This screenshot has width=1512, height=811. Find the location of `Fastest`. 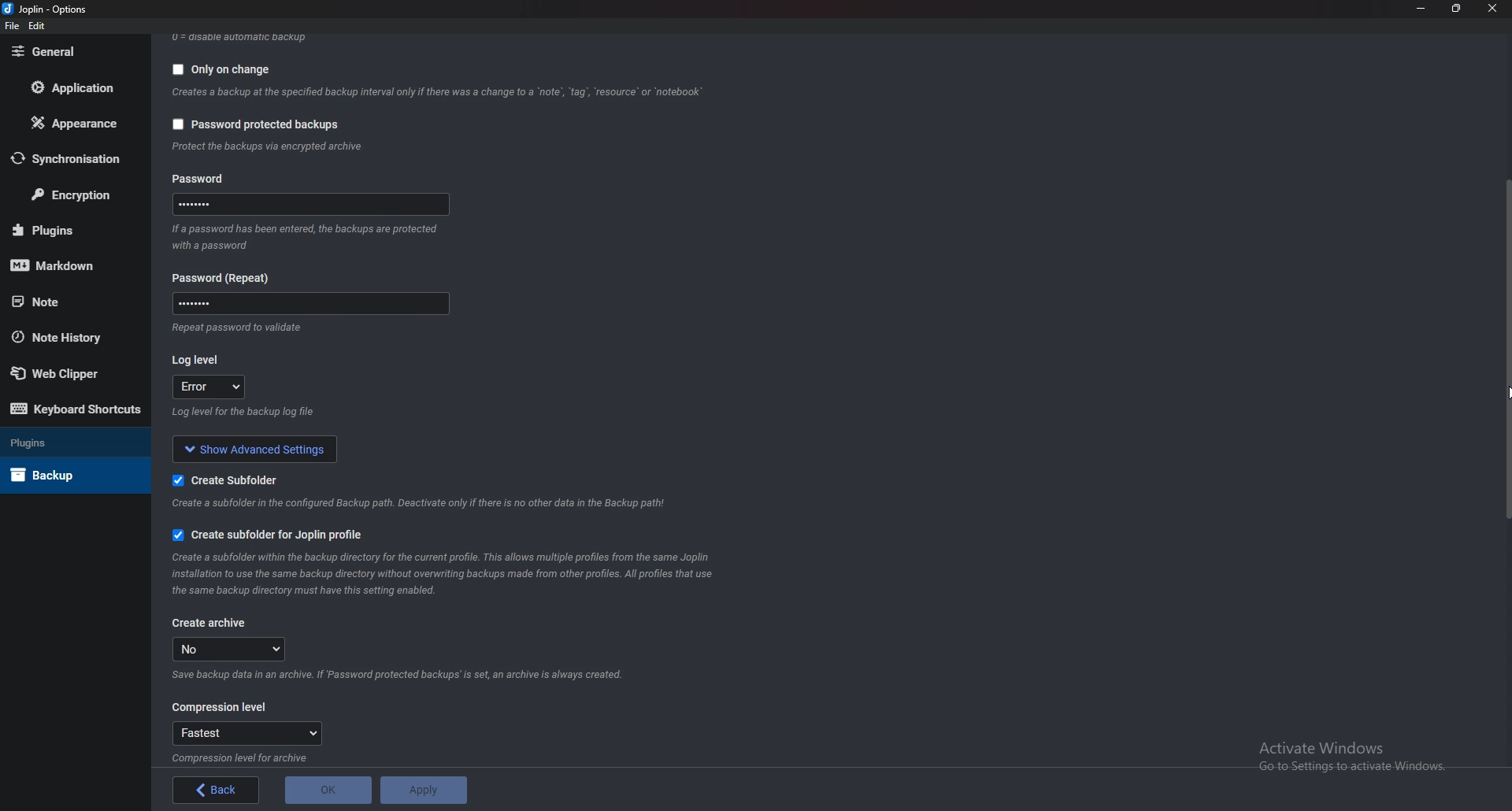

Fastest is located at coordinates (248, 733).